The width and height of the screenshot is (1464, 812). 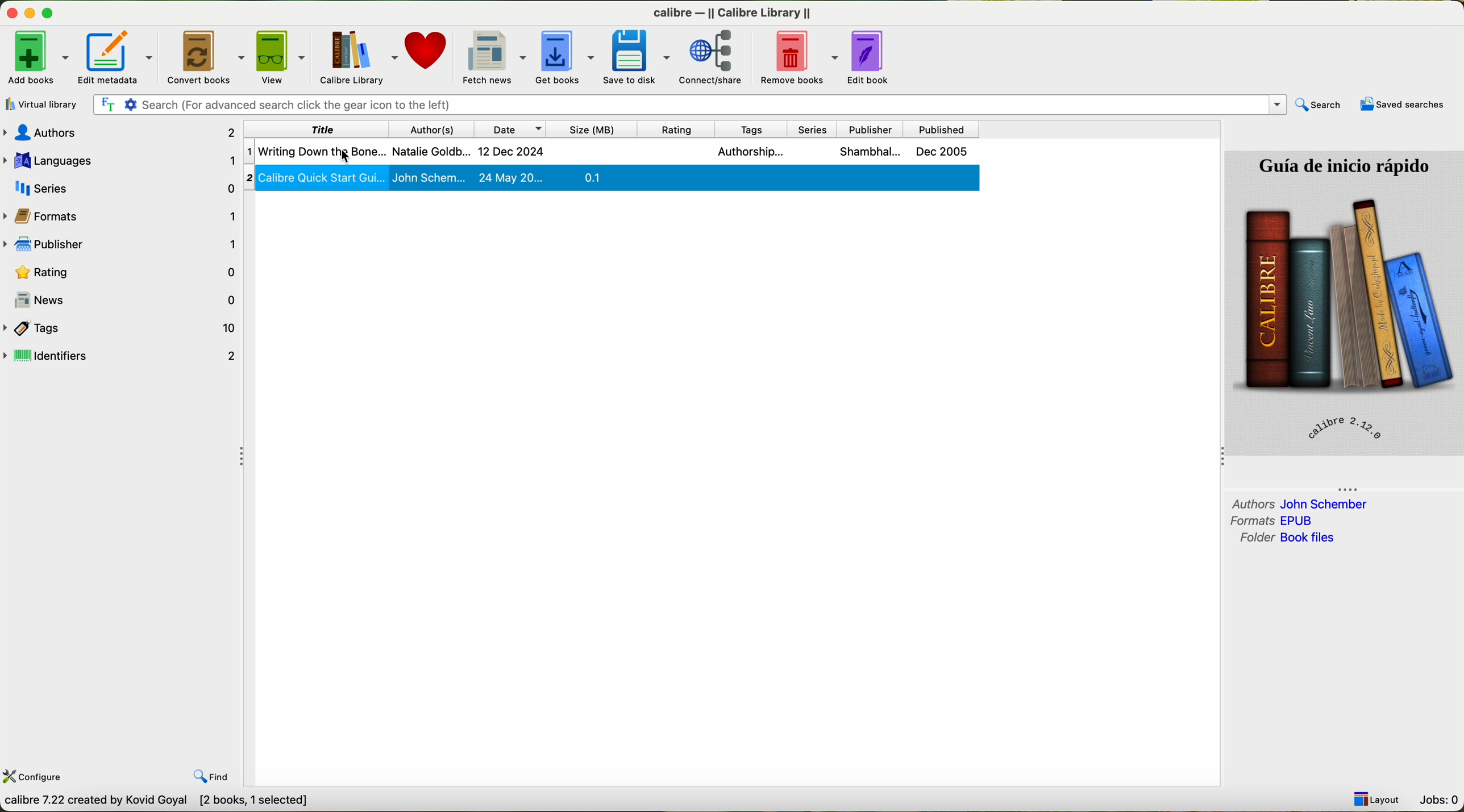 I want to click on cursor, so click(x=334, y=150).